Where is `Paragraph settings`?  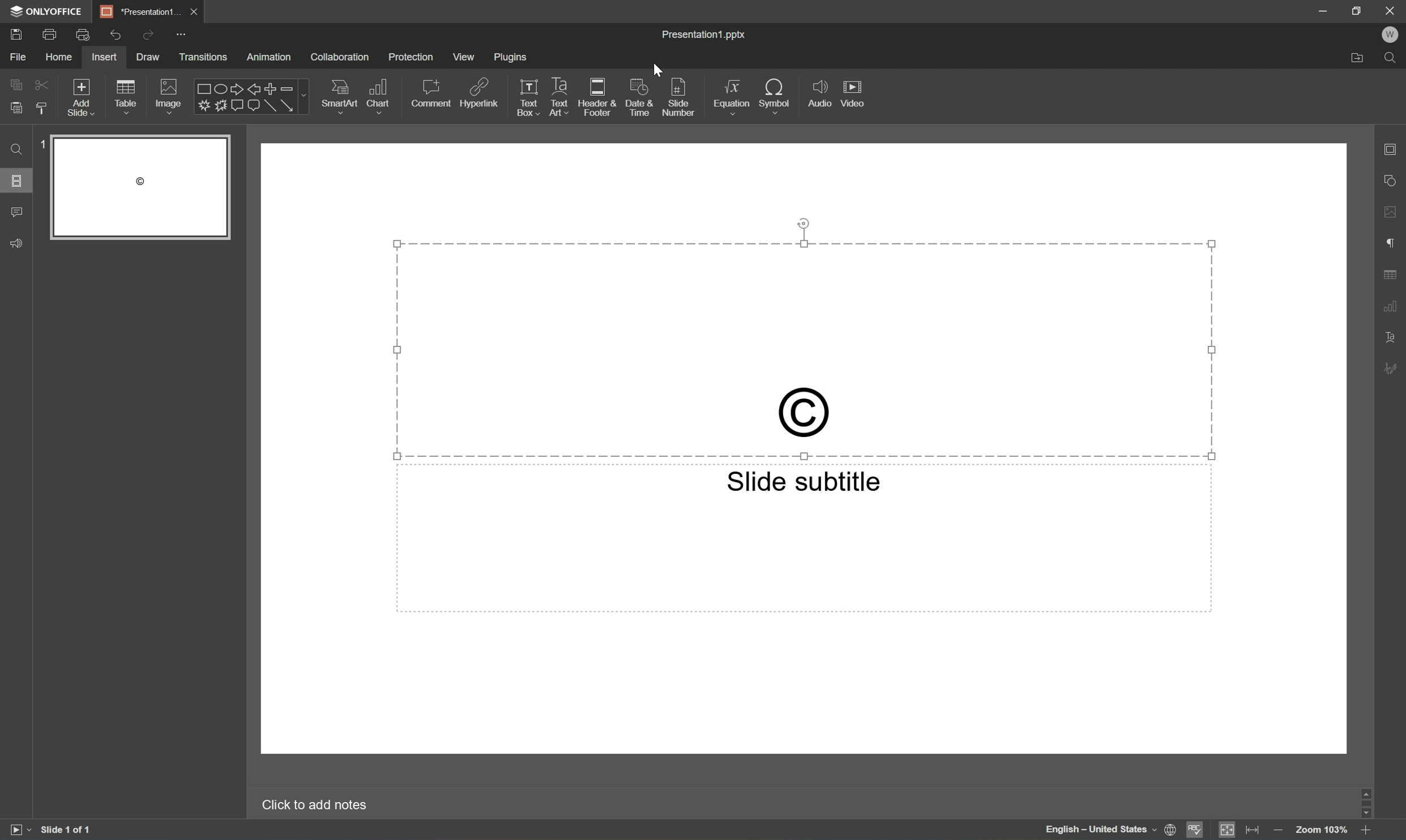
Paragraph settings is located at coordinates (1391, 243).